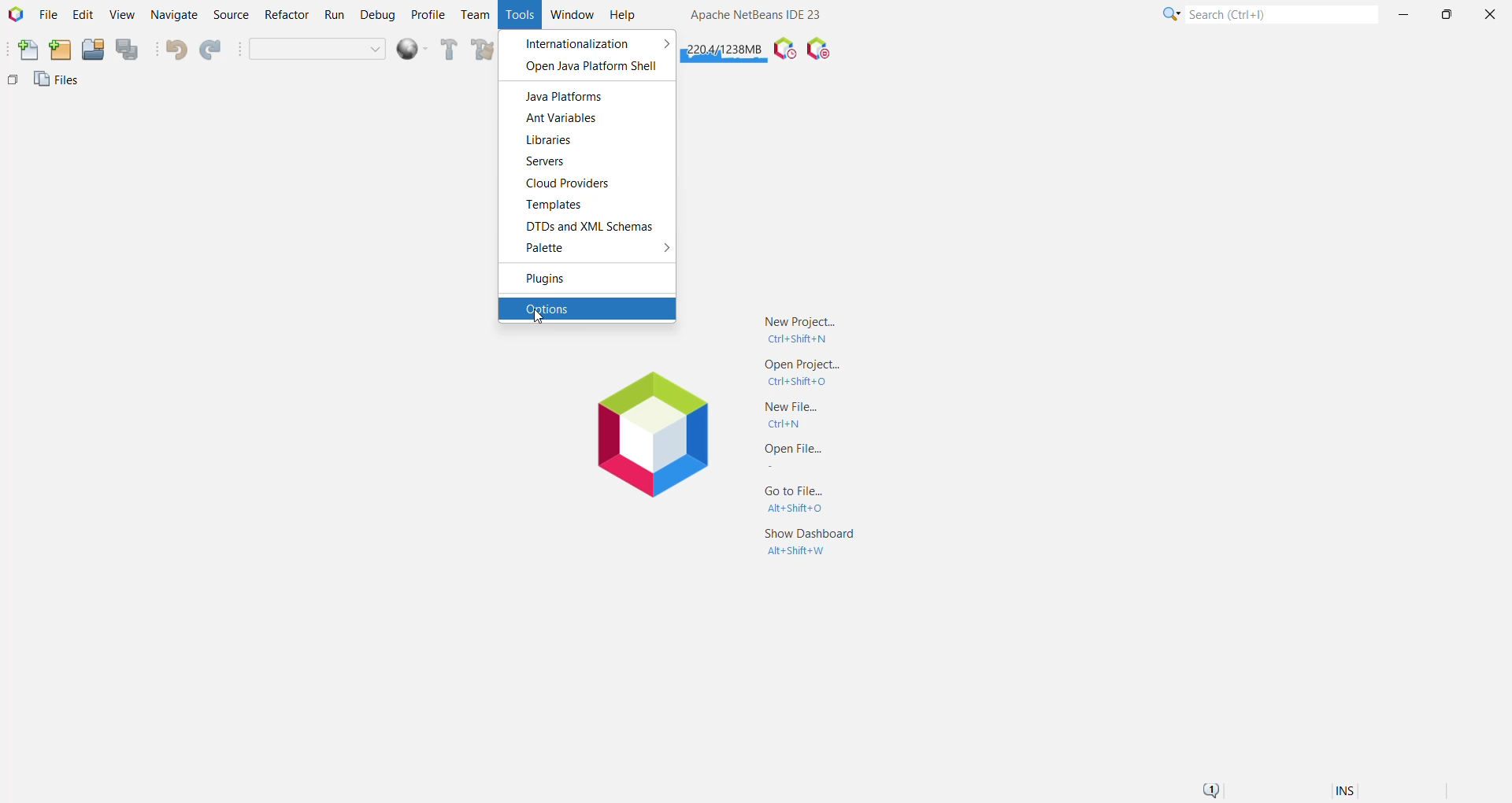 The height and width of the screenshot is (803, 1512). Describe the element at coordinates (724, 47) in the screenshot. I see `Click to force garbage collection` at that location.